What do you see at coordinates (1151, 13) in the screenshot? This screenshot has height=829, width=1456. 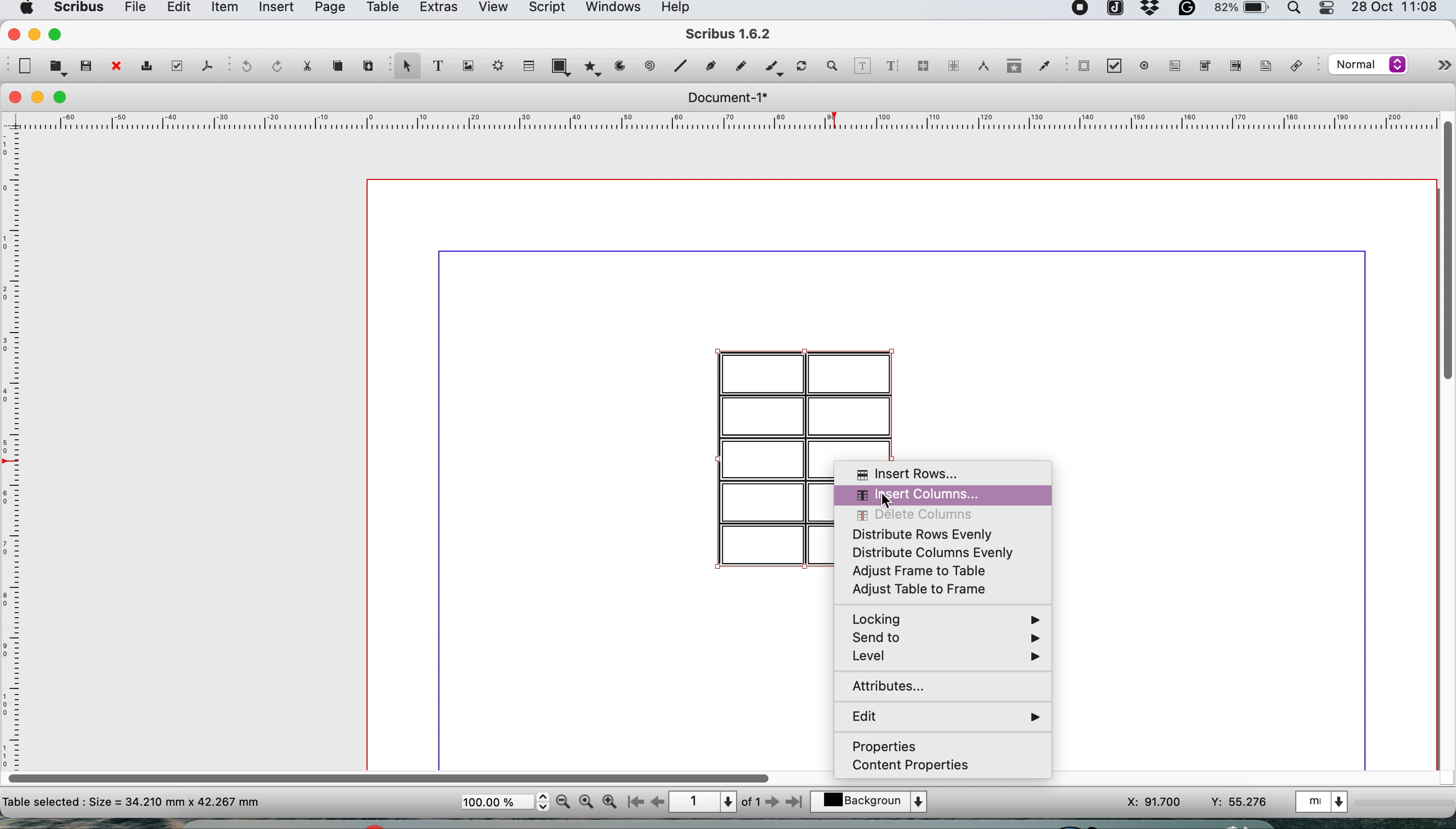 I see `dropbox` at bounding box center [1151, 13].